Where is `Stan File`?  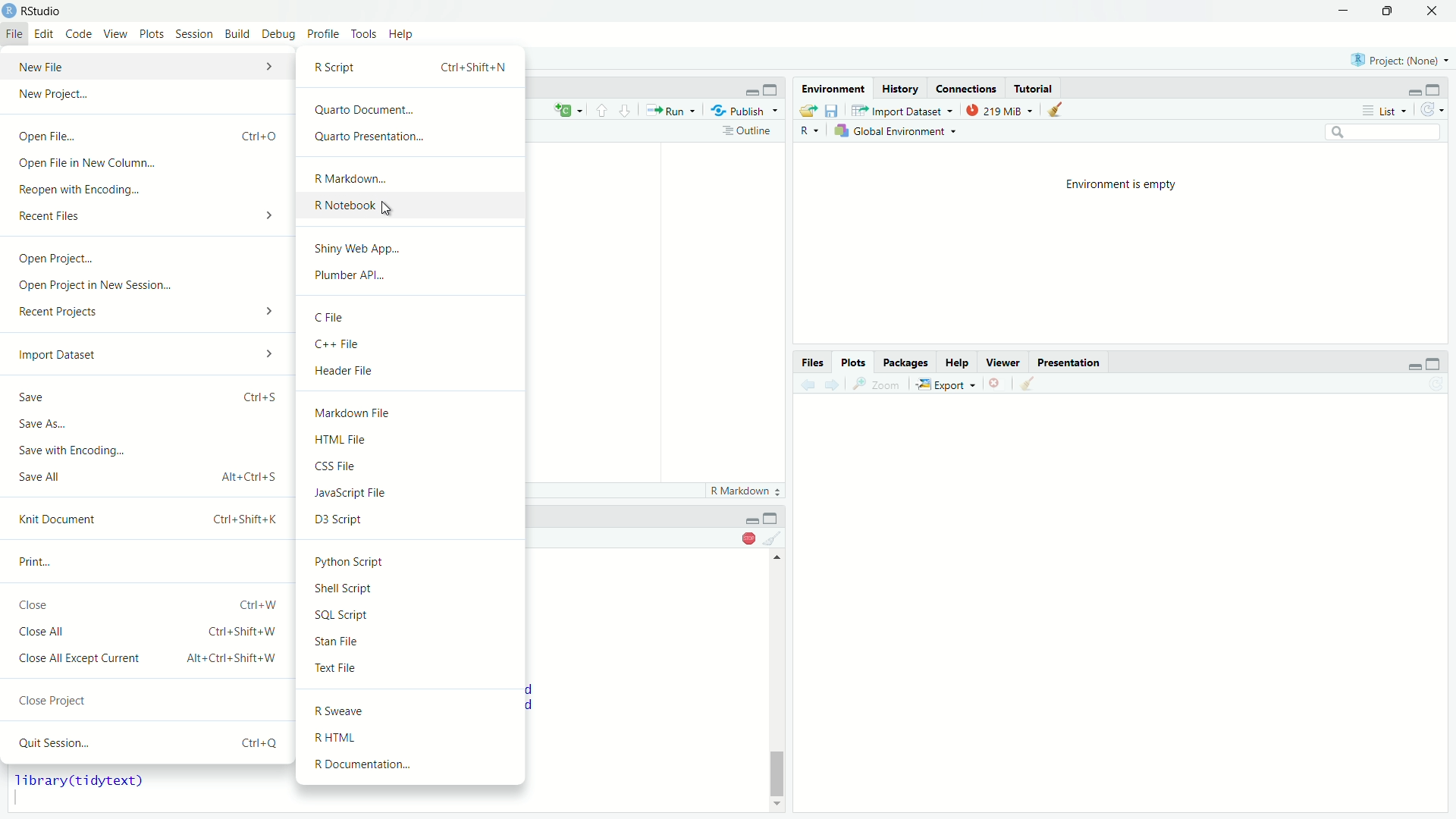
Stan File is located at coordinates (411, 640).